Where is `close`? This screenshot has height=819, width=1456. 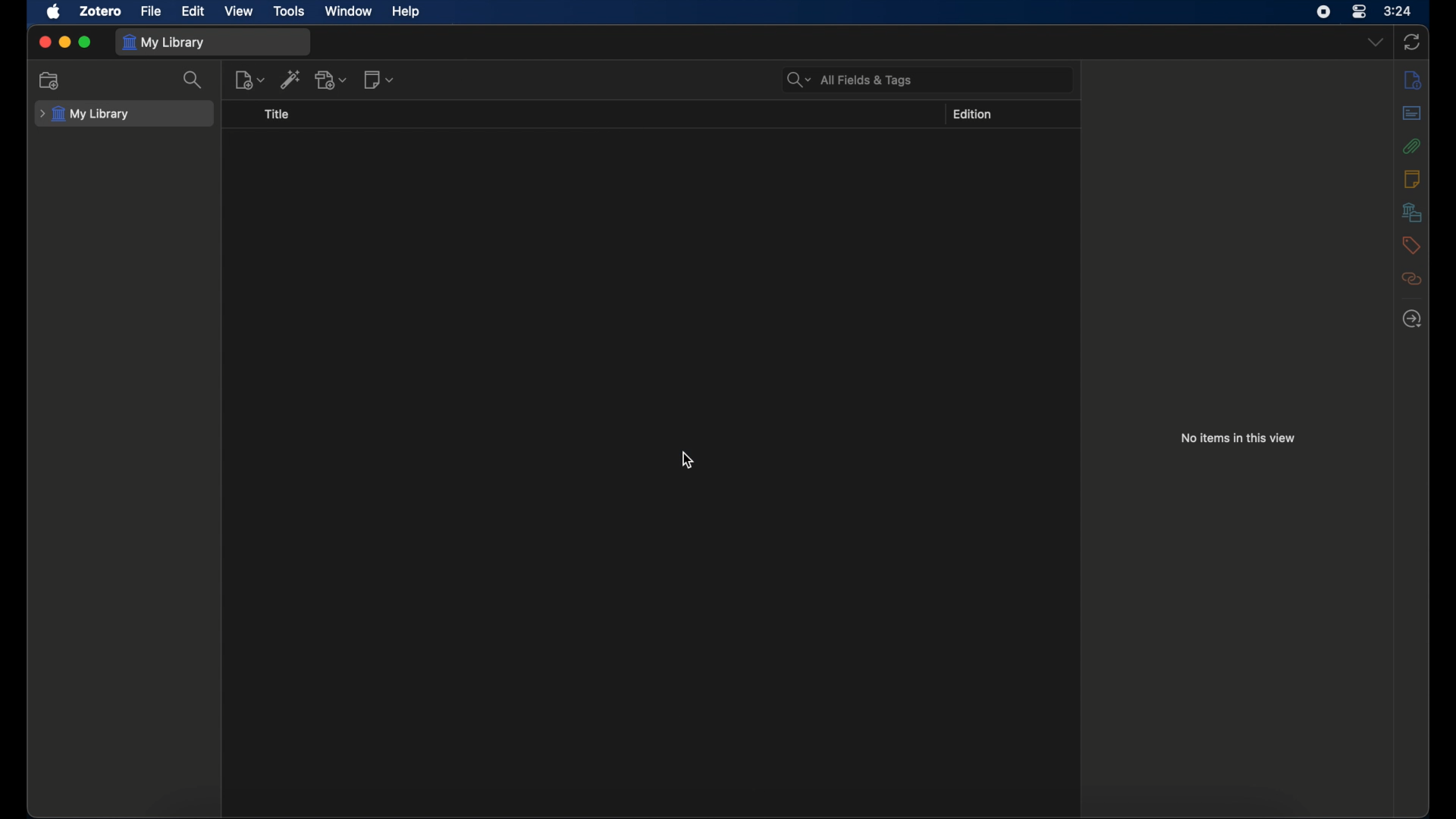
close is located at coordinates (44, 42).